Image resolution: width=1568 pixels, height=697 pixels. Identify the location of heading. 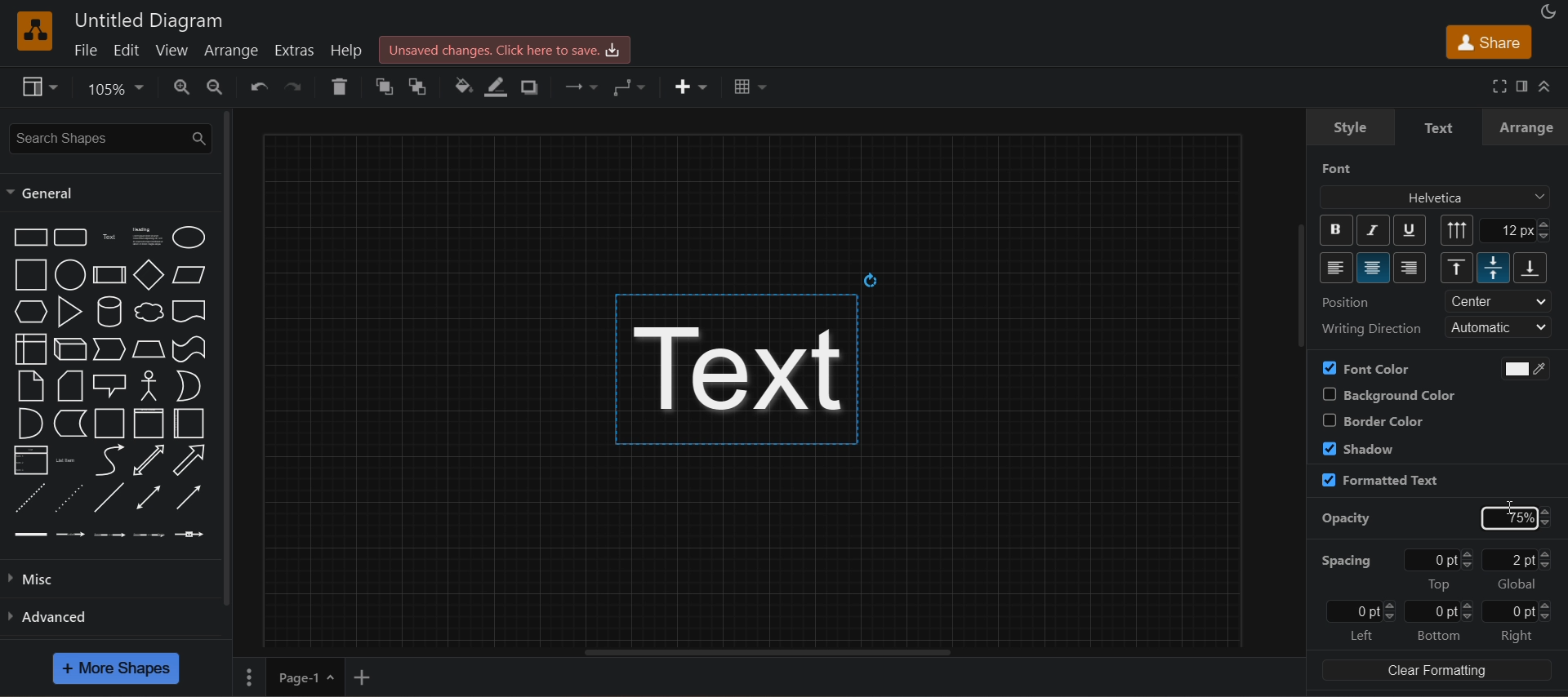
(147, 238).